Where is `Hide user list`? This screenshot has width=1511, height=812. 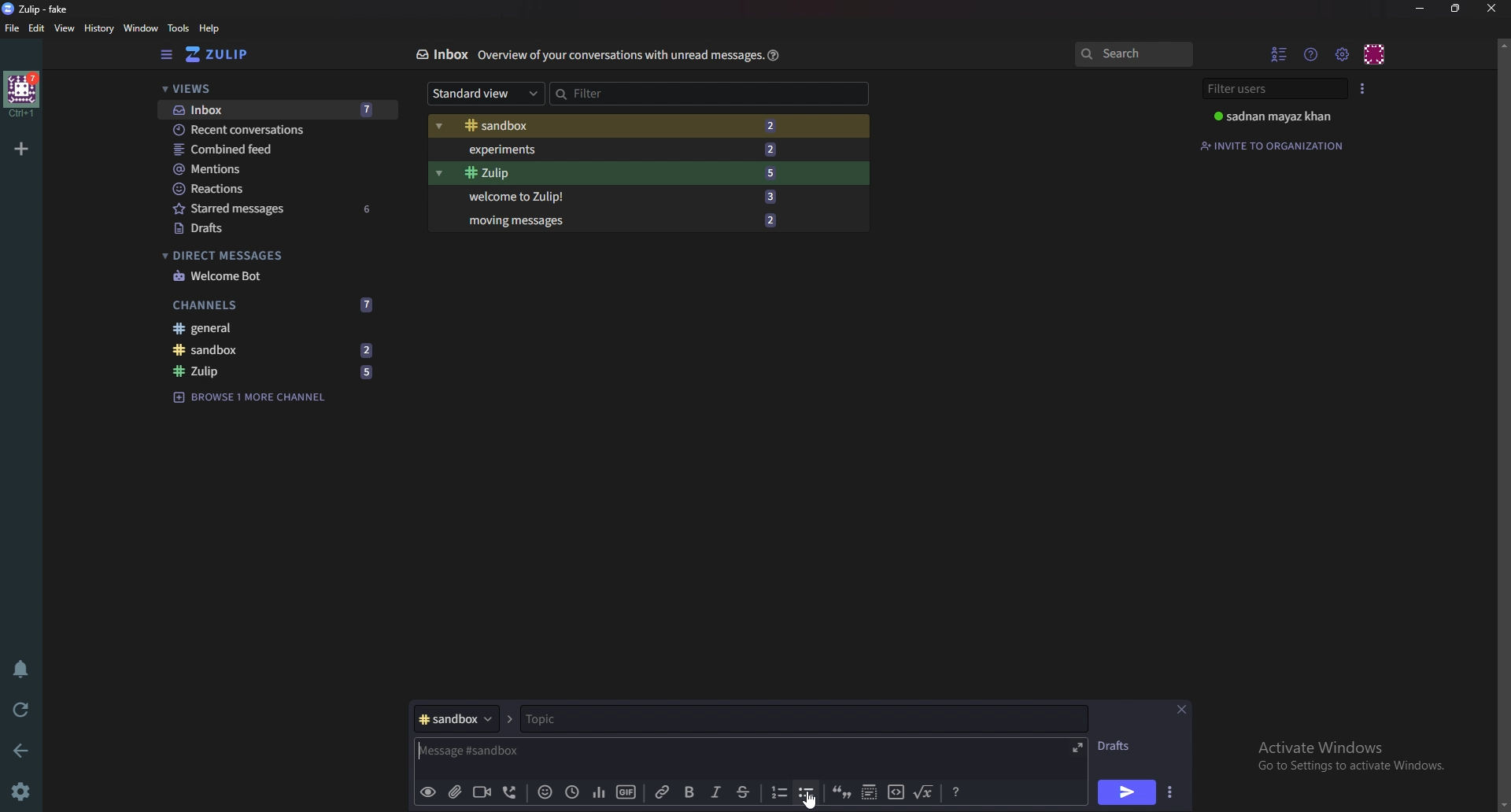
Hide user list is located at coordinates (1280, 54).